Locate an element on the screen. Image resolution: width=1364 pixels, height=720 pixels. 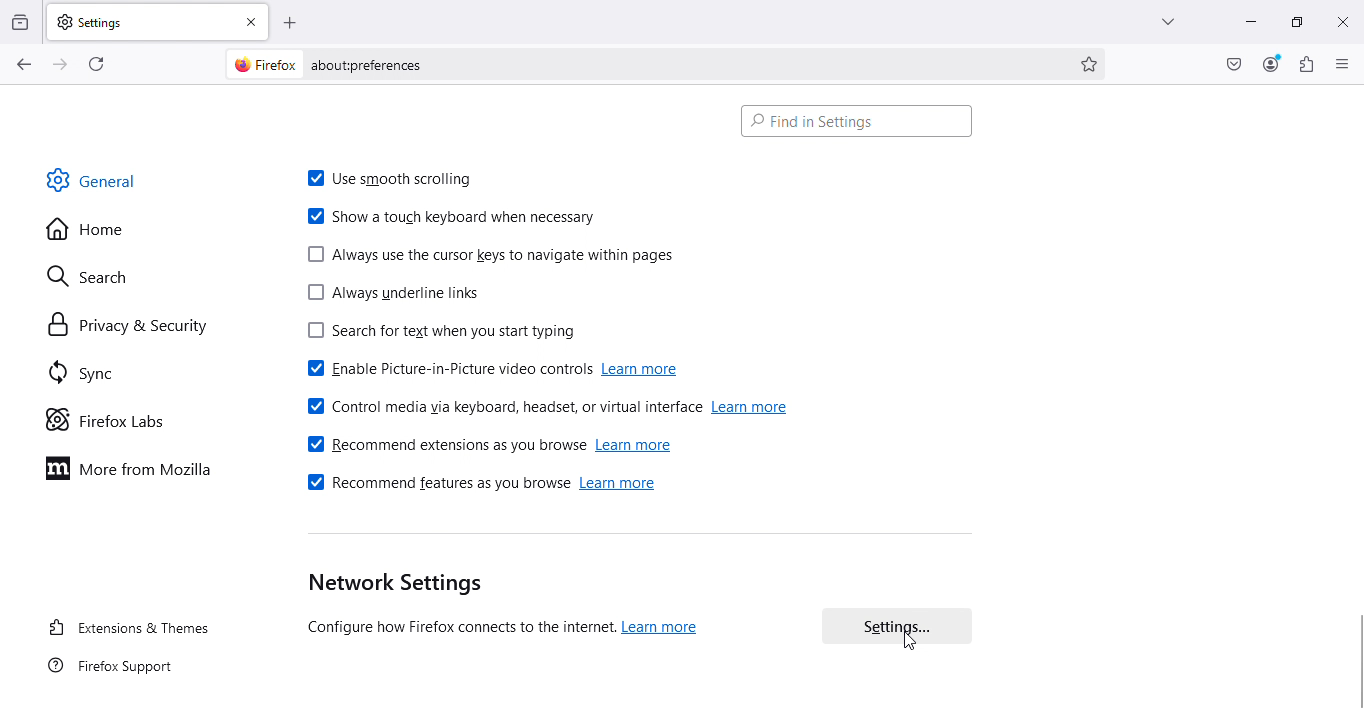
Save to pocket is located at coordinates (1235, 64).